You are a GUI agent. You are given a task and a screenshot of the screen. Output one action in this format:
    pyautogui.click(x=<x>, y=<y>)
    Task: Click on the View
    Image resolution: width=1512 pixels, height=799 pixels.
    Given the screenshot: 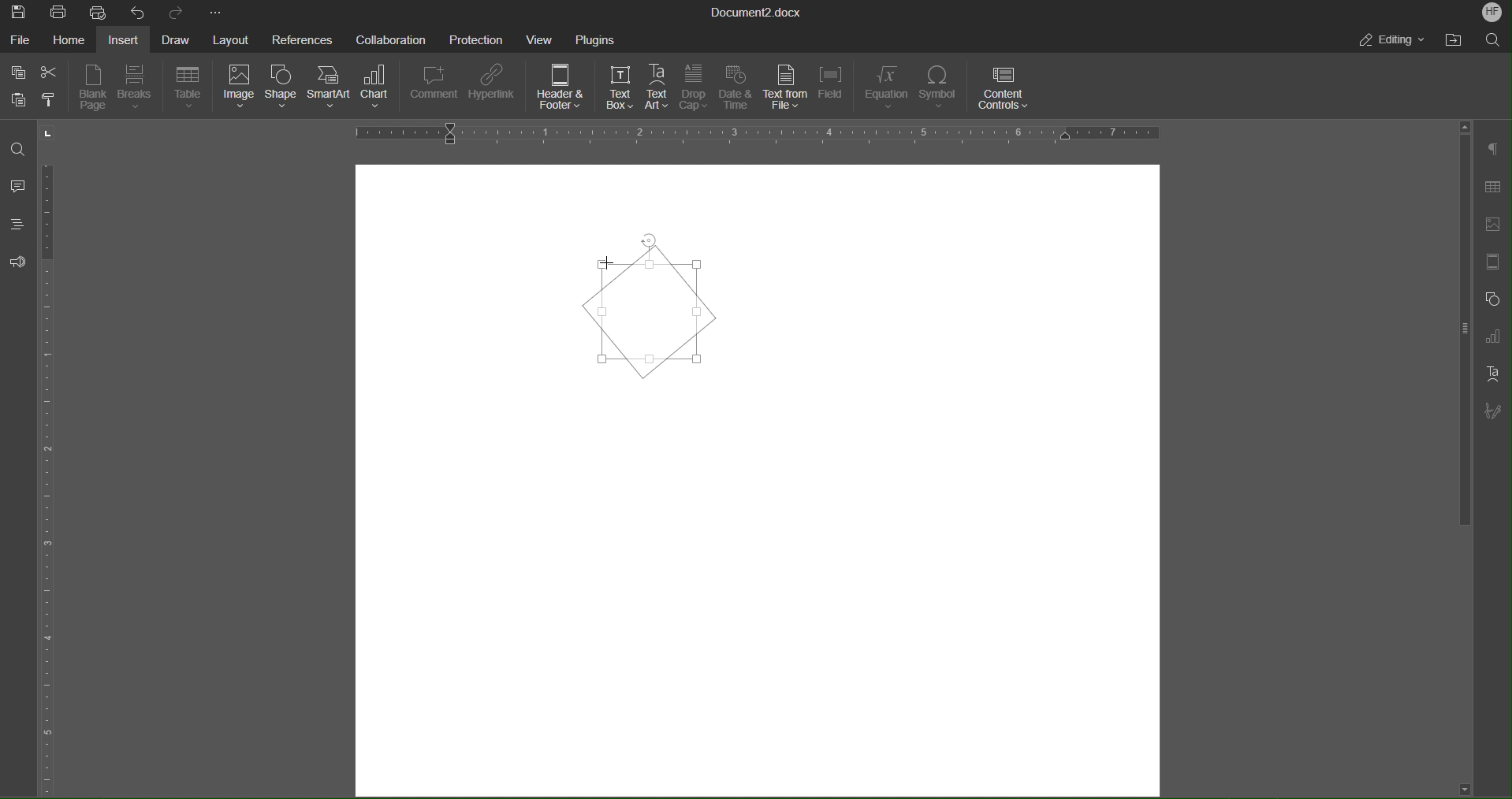 What is the action you would take?
    pyautogui.click(x=542, y=38)
    